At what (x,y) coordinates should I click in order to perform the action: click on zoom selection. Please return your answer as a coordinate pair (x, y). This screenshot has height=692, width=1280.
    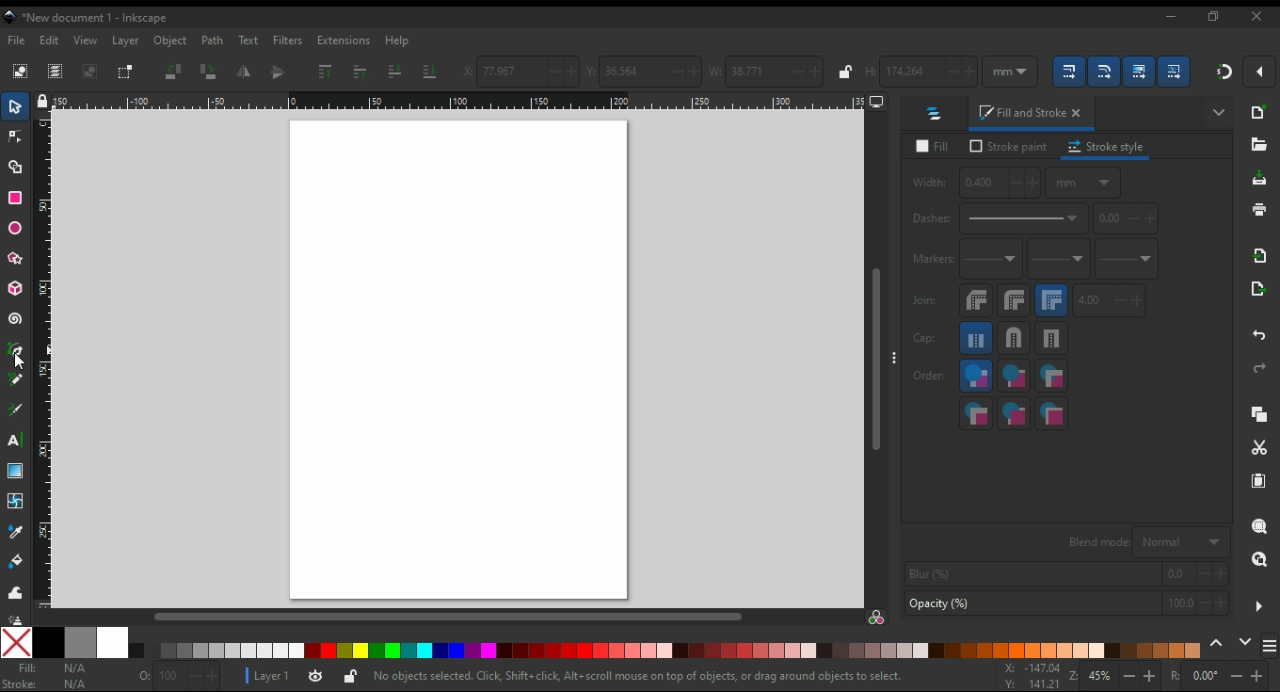
    Looking at the image, I should click on (1261, 526).